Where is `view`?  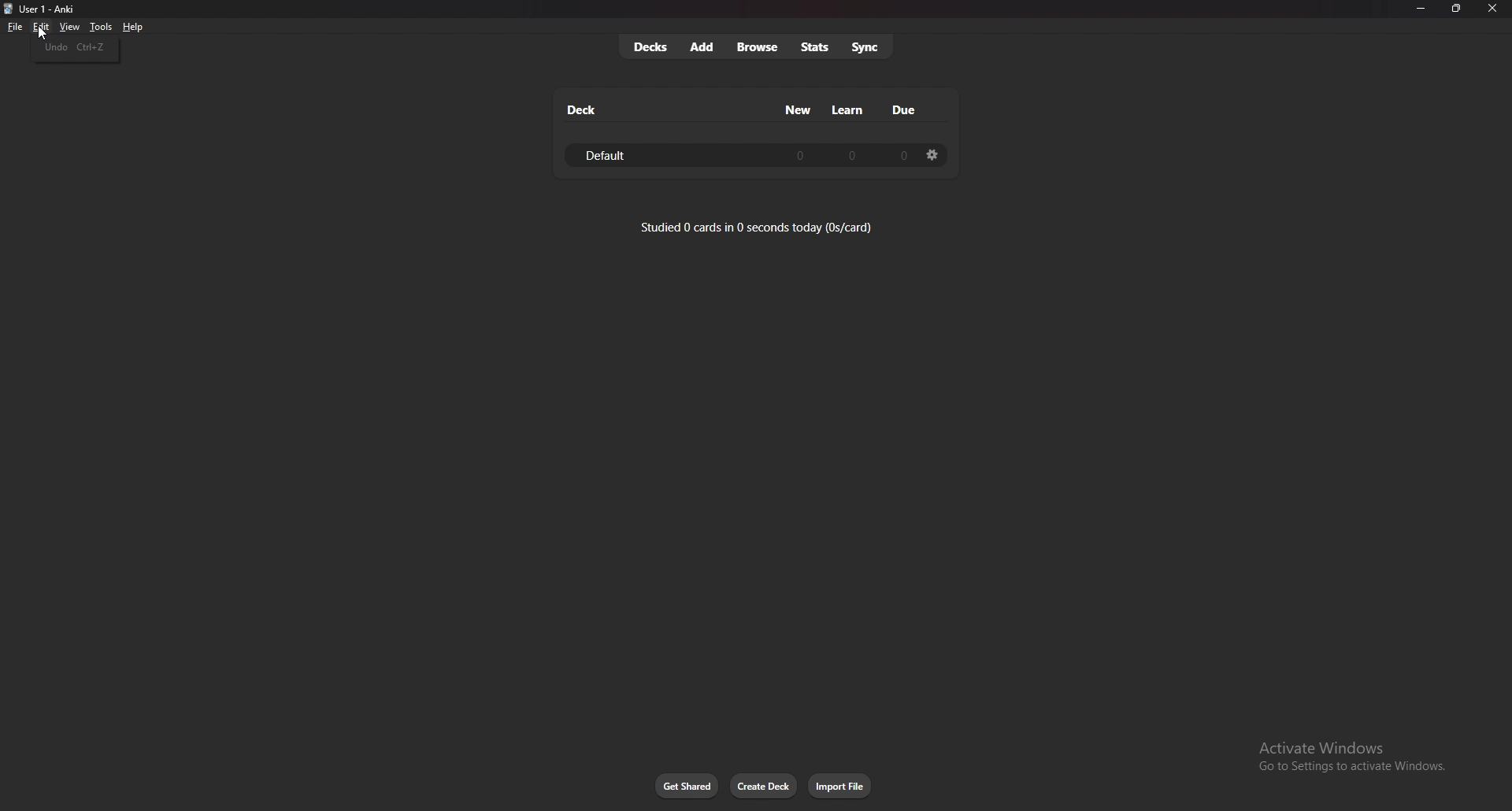
view is located at coordinates (68, 26).